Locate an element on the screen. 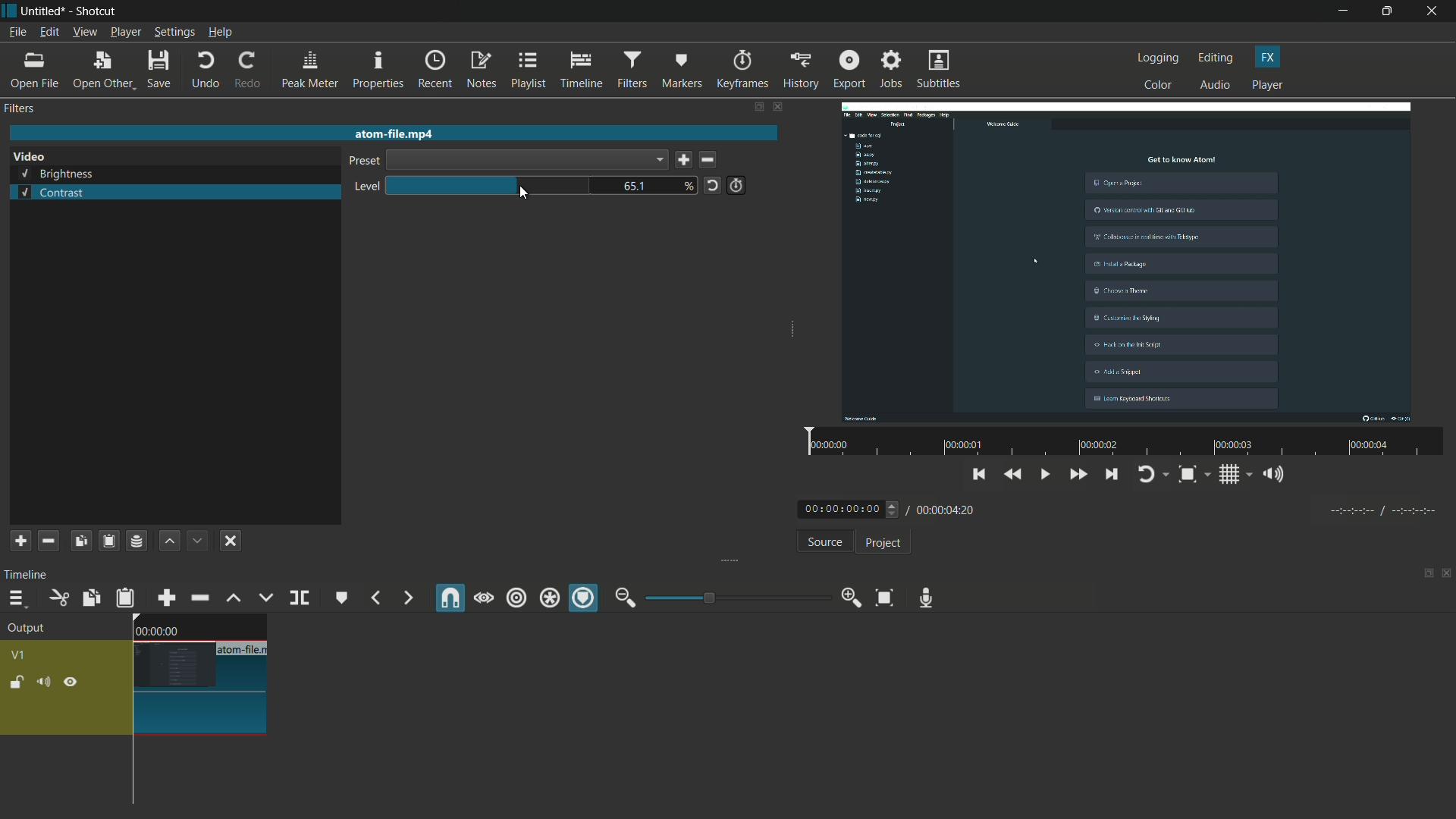 This screenshot has height=819, width=1456. paste is located at coordinates (125, 598).